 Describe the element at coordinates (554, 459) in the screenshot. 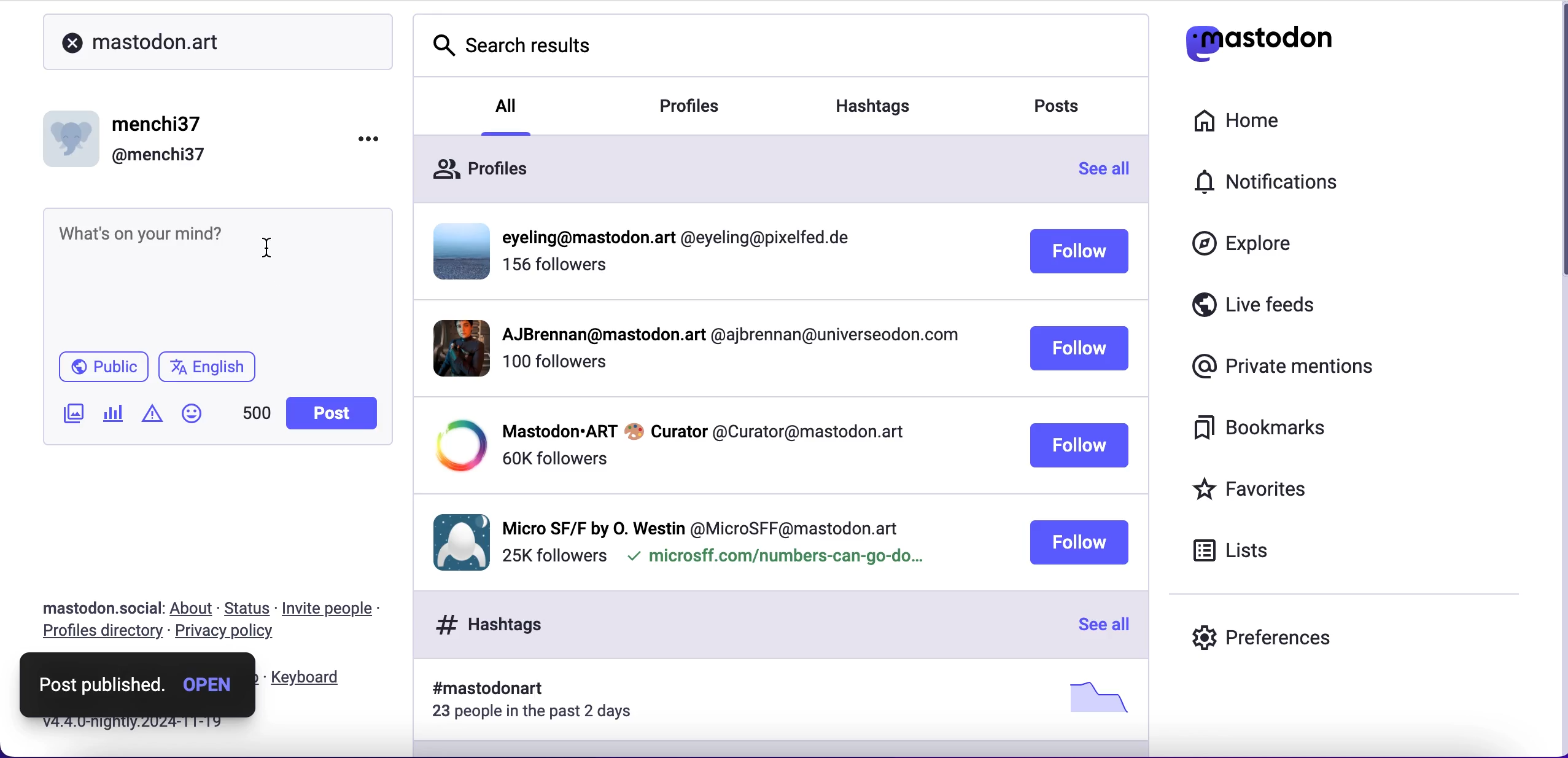

I see `followers` at that location.